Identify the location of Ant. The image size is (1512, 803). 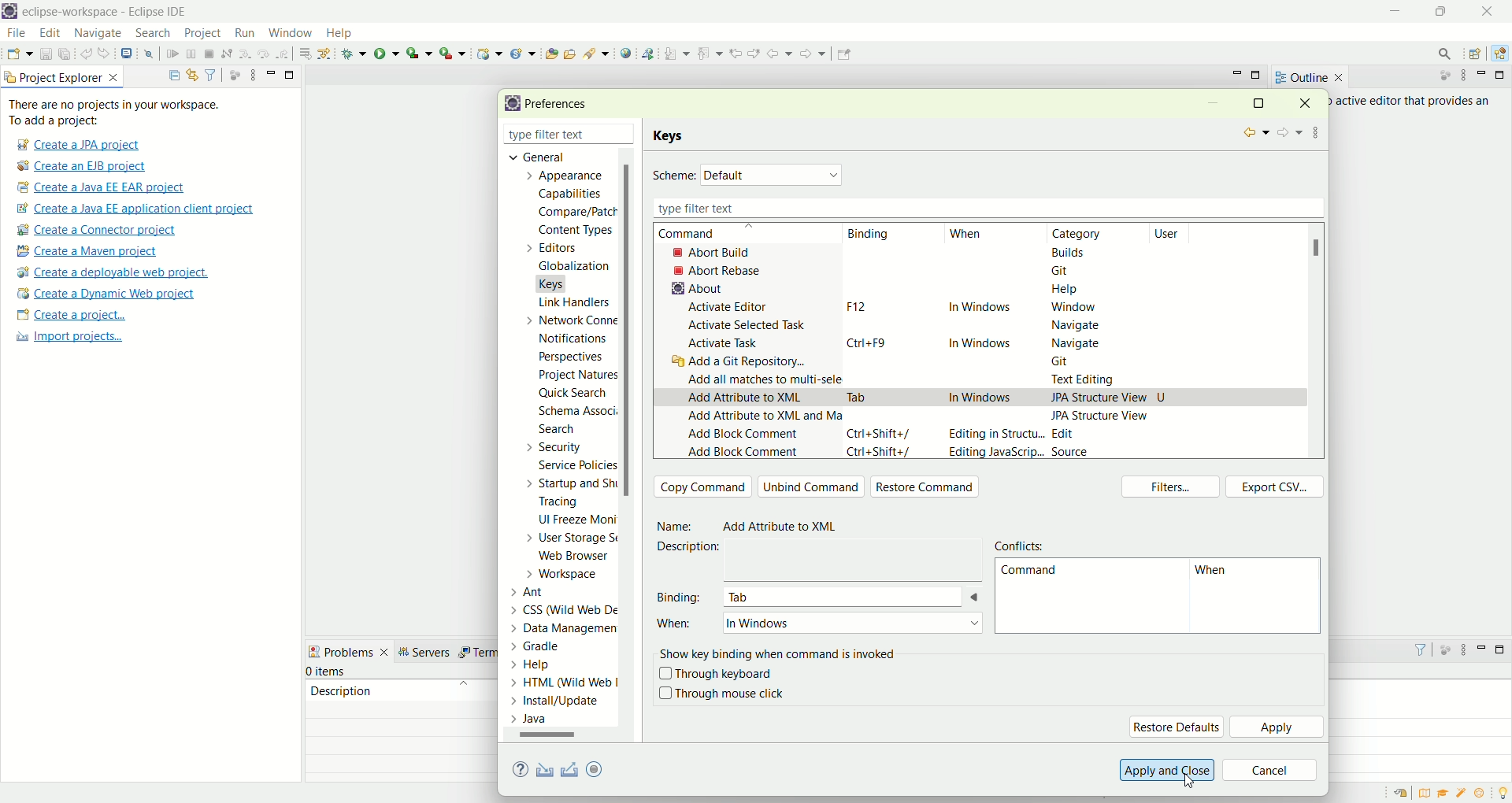
(537, 590).